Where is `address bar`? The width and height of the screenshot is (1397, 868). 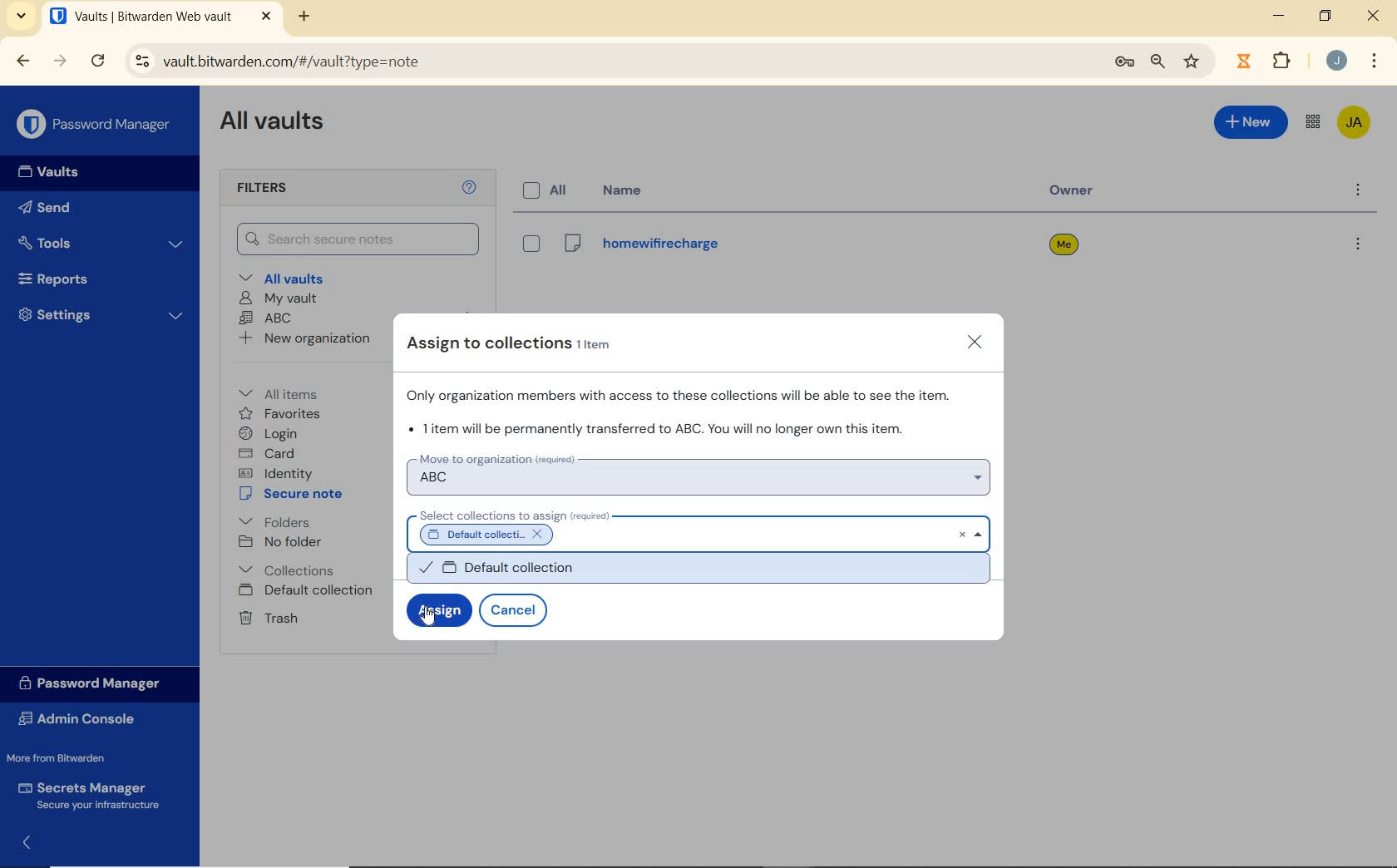
address bar is located at coordinates (607, 62).